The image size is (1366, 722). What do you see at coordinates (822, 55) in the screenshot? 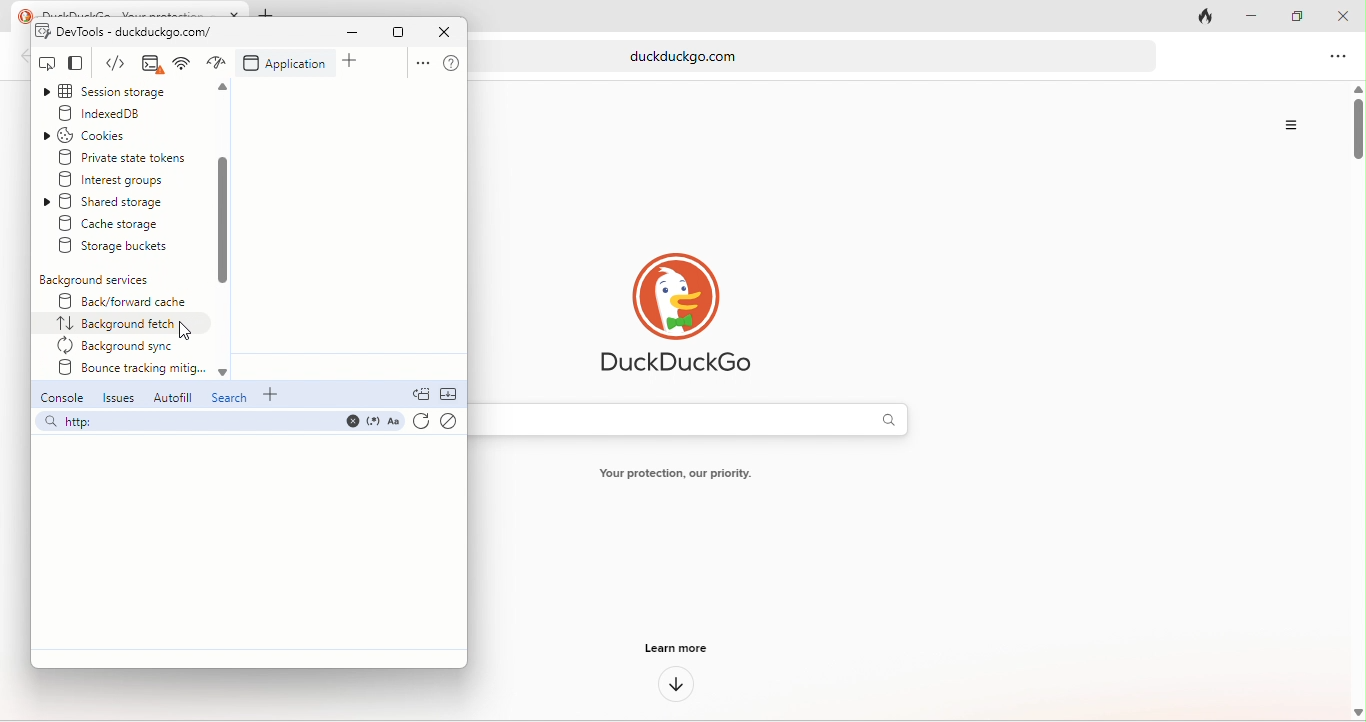
I see `web link` at bounding box center [822, 55].